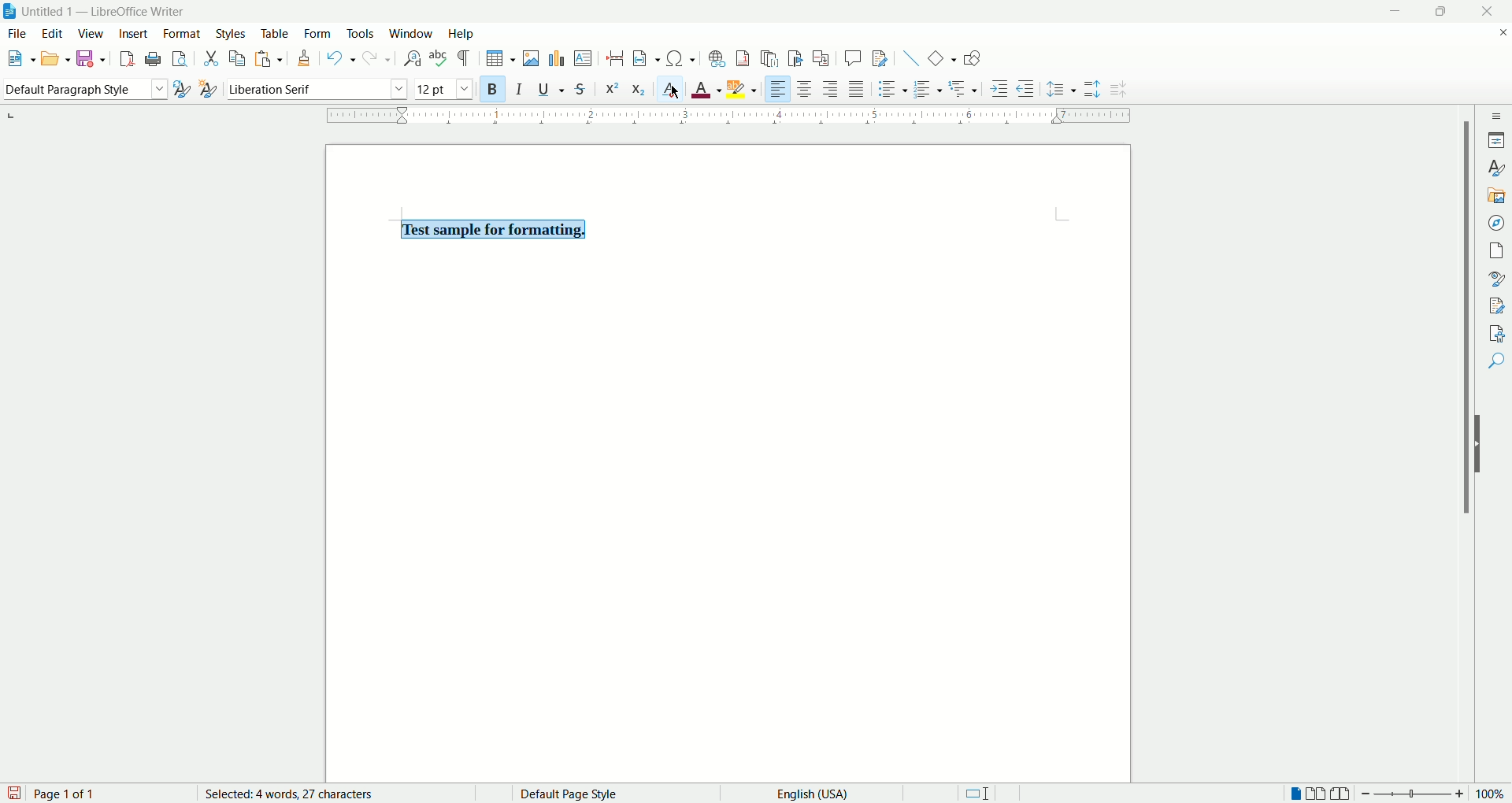 The image size is (1512, 803). I want to click on basic shapes, so click(939, 58).